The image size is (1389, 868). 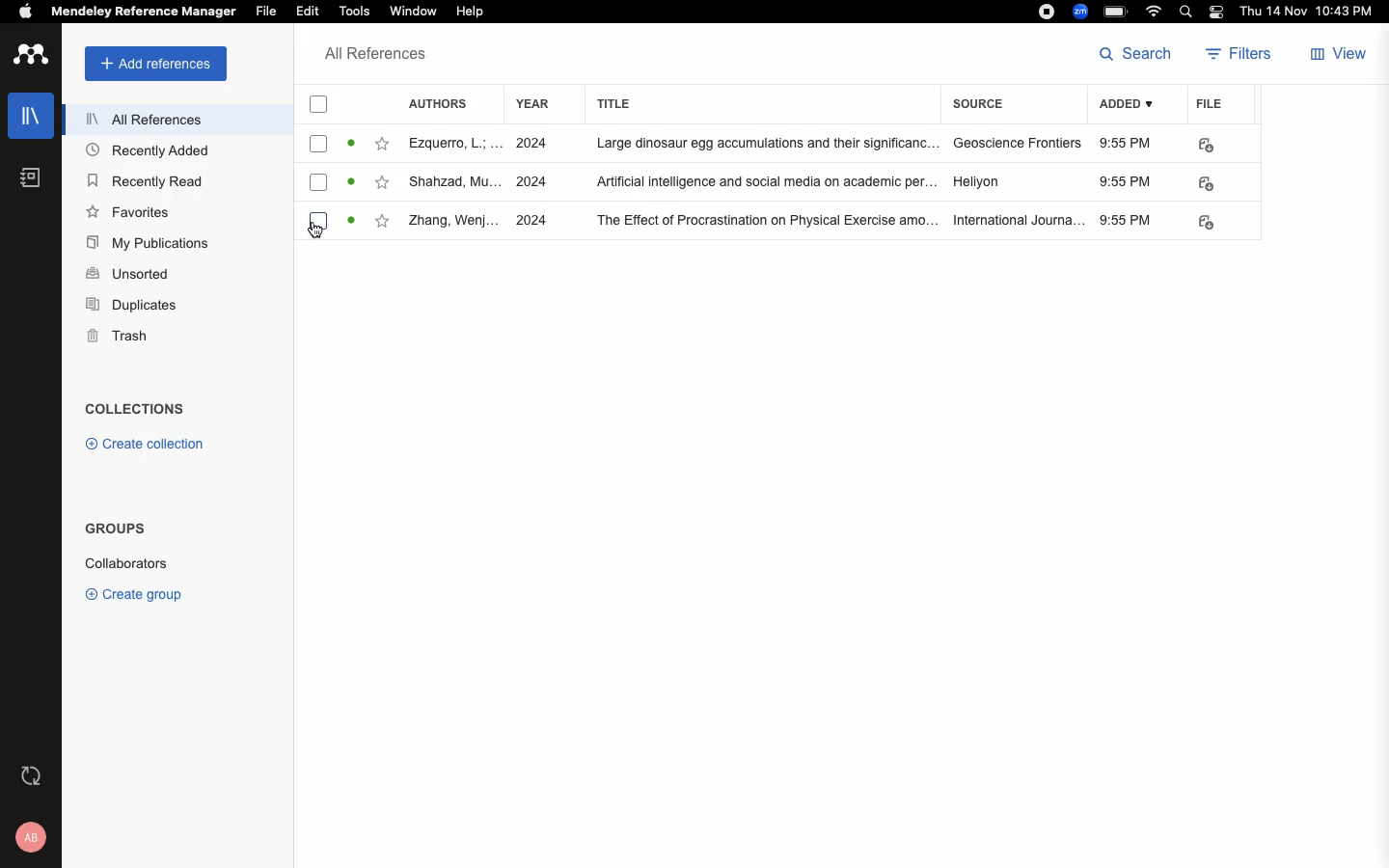 I want to click on Added, so click(x=1131, y=106).